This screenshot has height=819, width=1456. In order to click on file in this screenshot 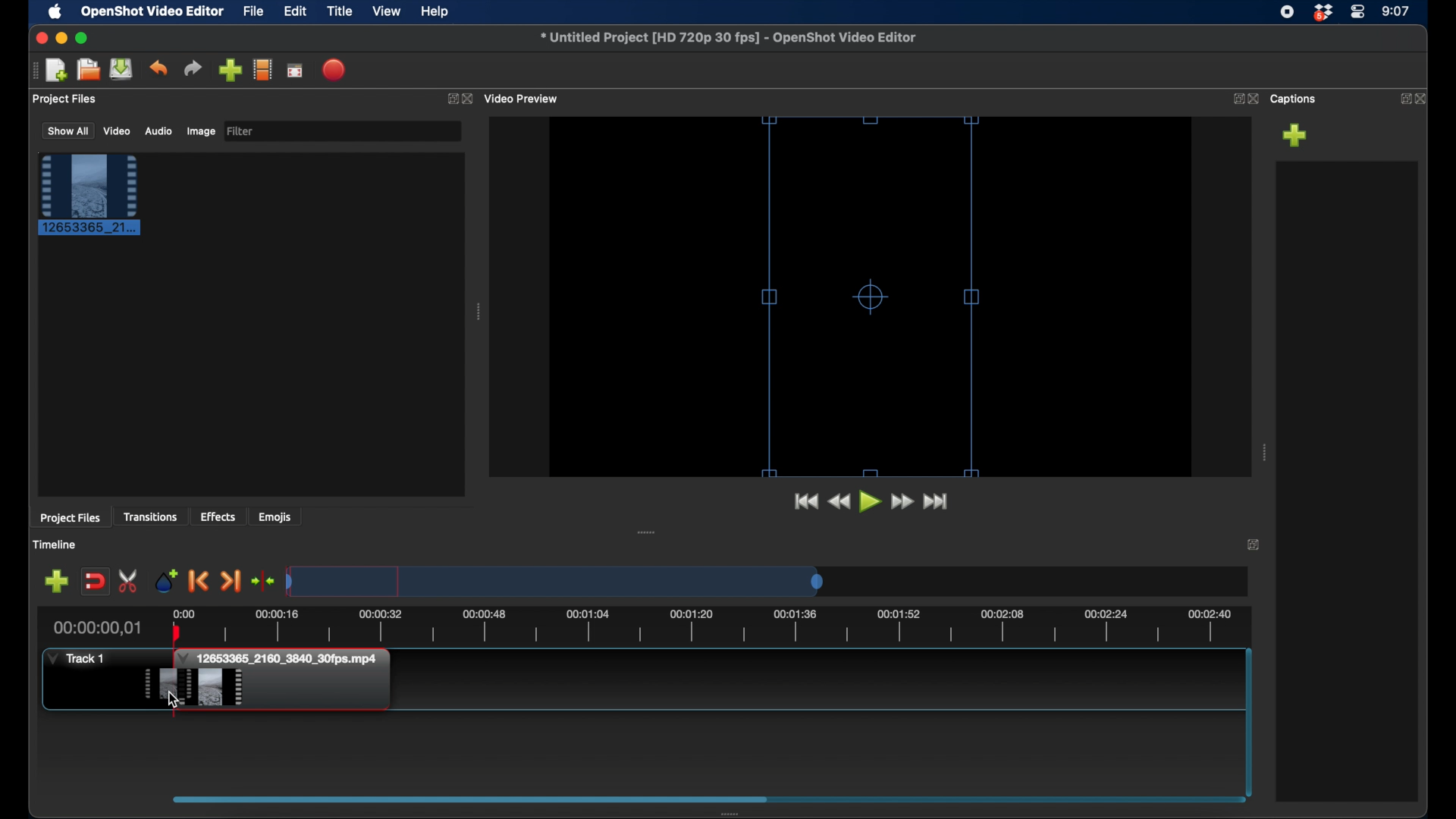, I will do `click(254, 12)`.